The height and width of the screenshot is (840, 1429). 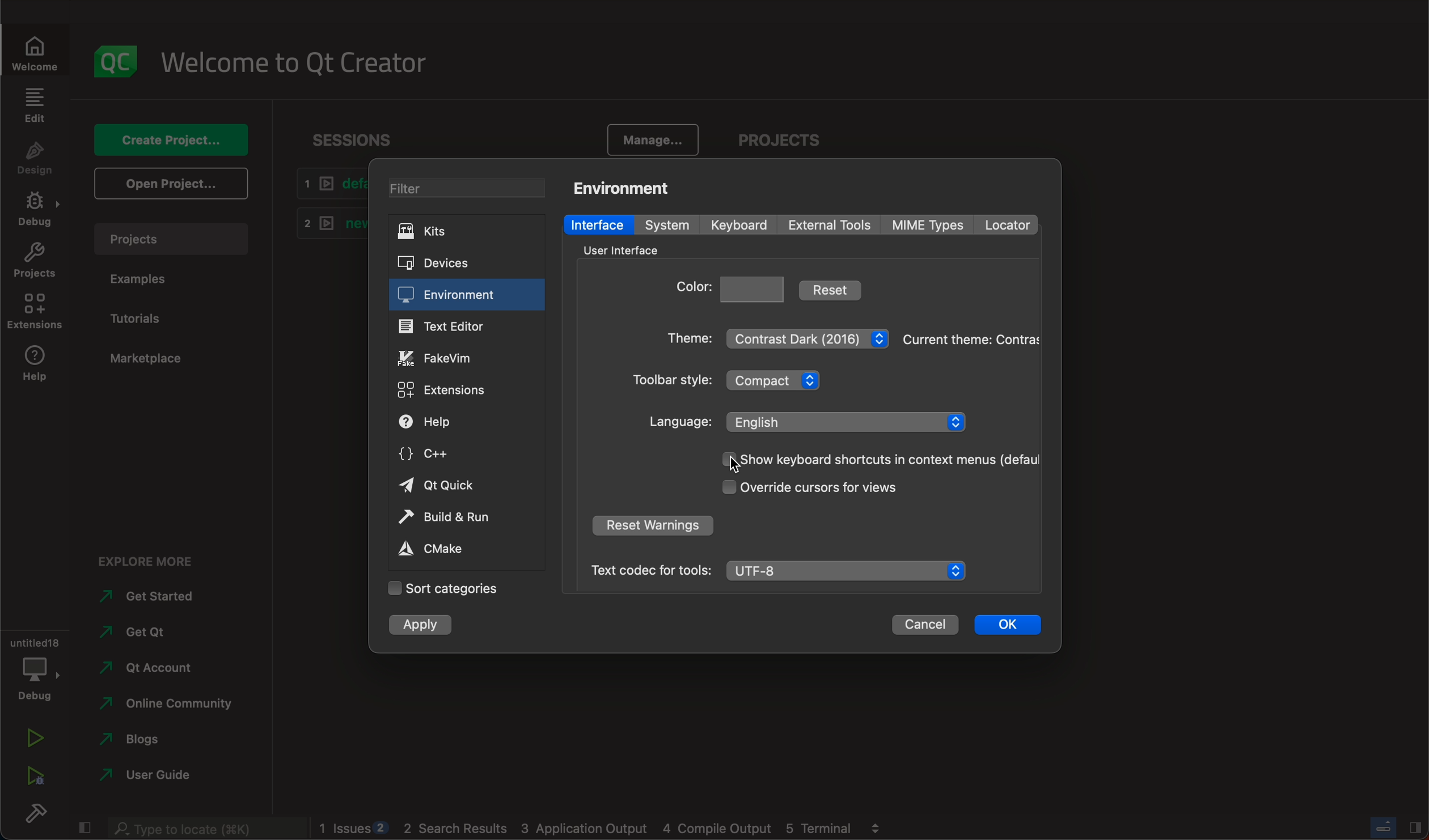 What do you see at coordinates (32, 367) in the screenshot?
I see `help` at bounding box center [32, 367].